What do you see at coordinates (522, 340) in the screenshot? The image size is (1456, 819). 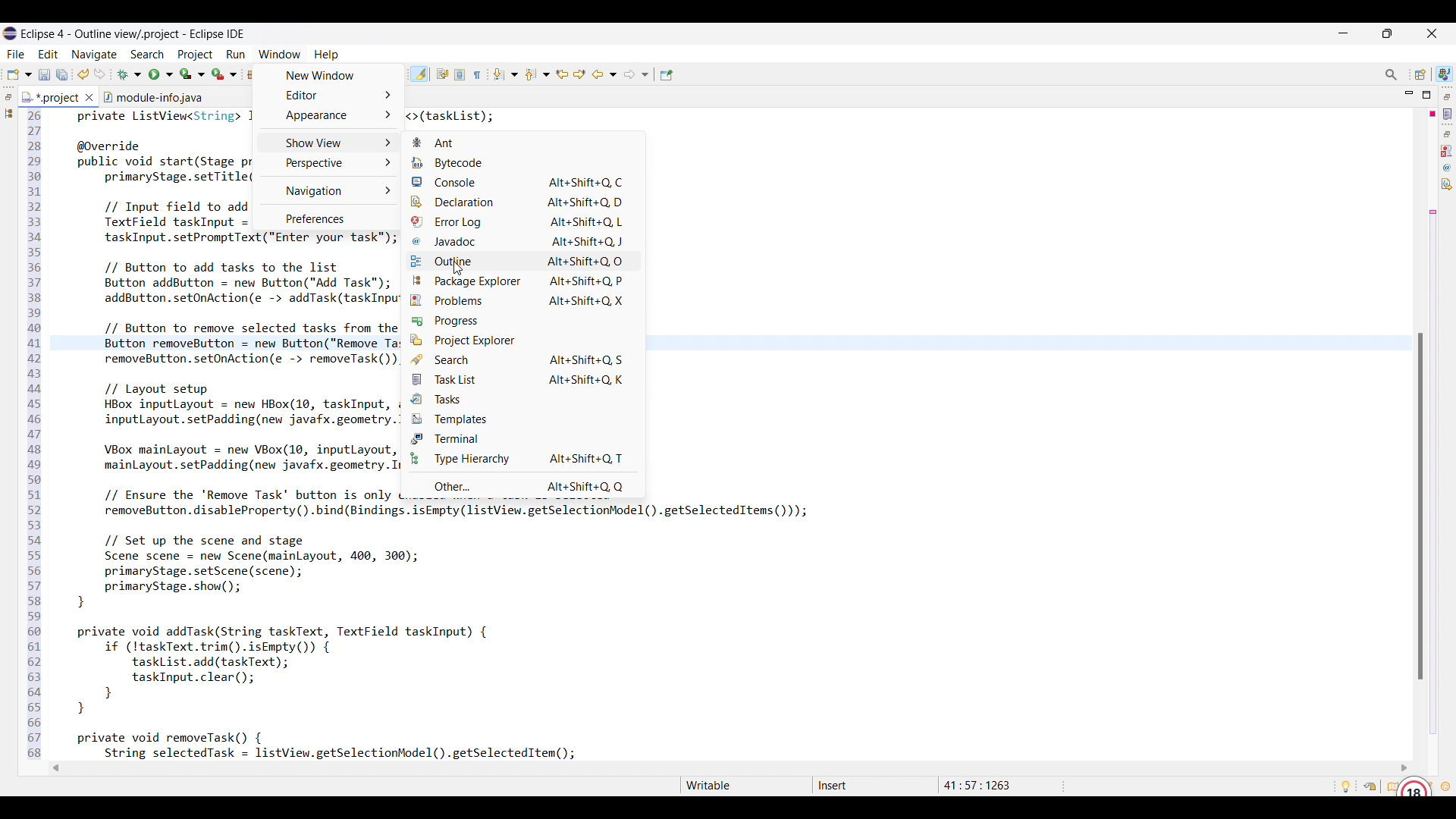 I see `Project explorer` at bounding box center [522, 340].